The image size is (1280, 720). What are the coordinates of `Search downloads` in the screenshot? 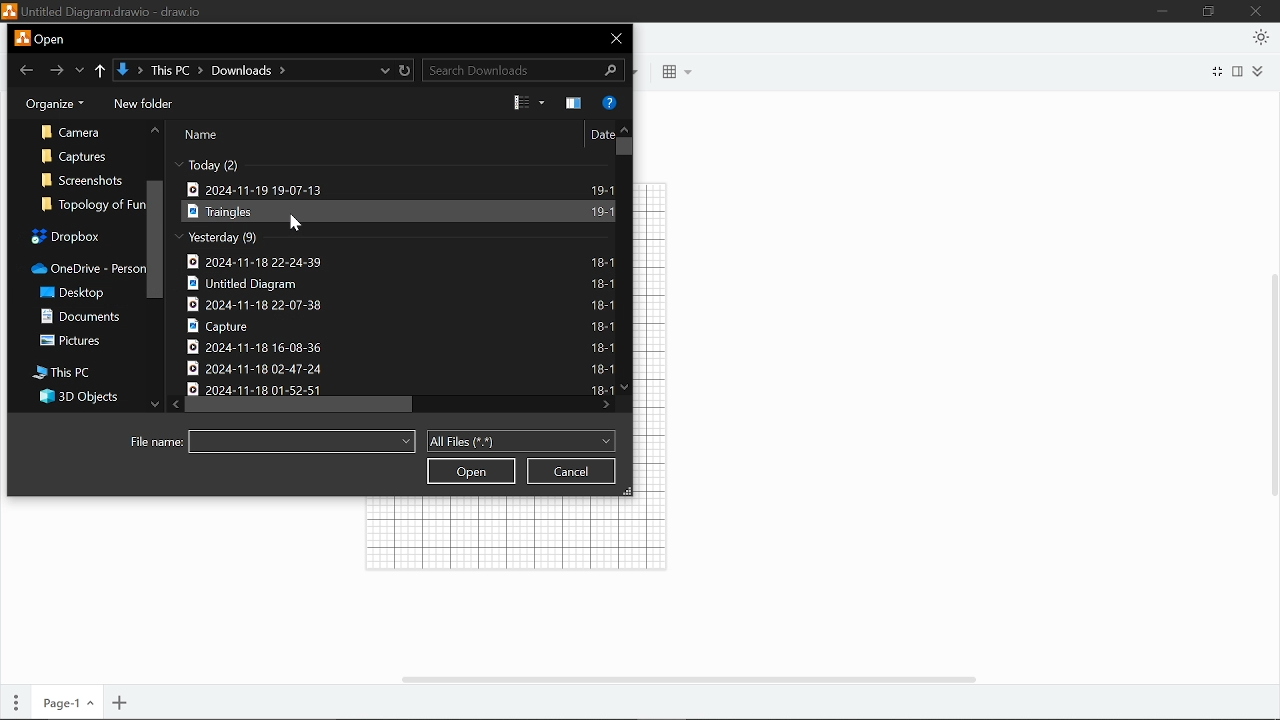 It's located at (525, 71).